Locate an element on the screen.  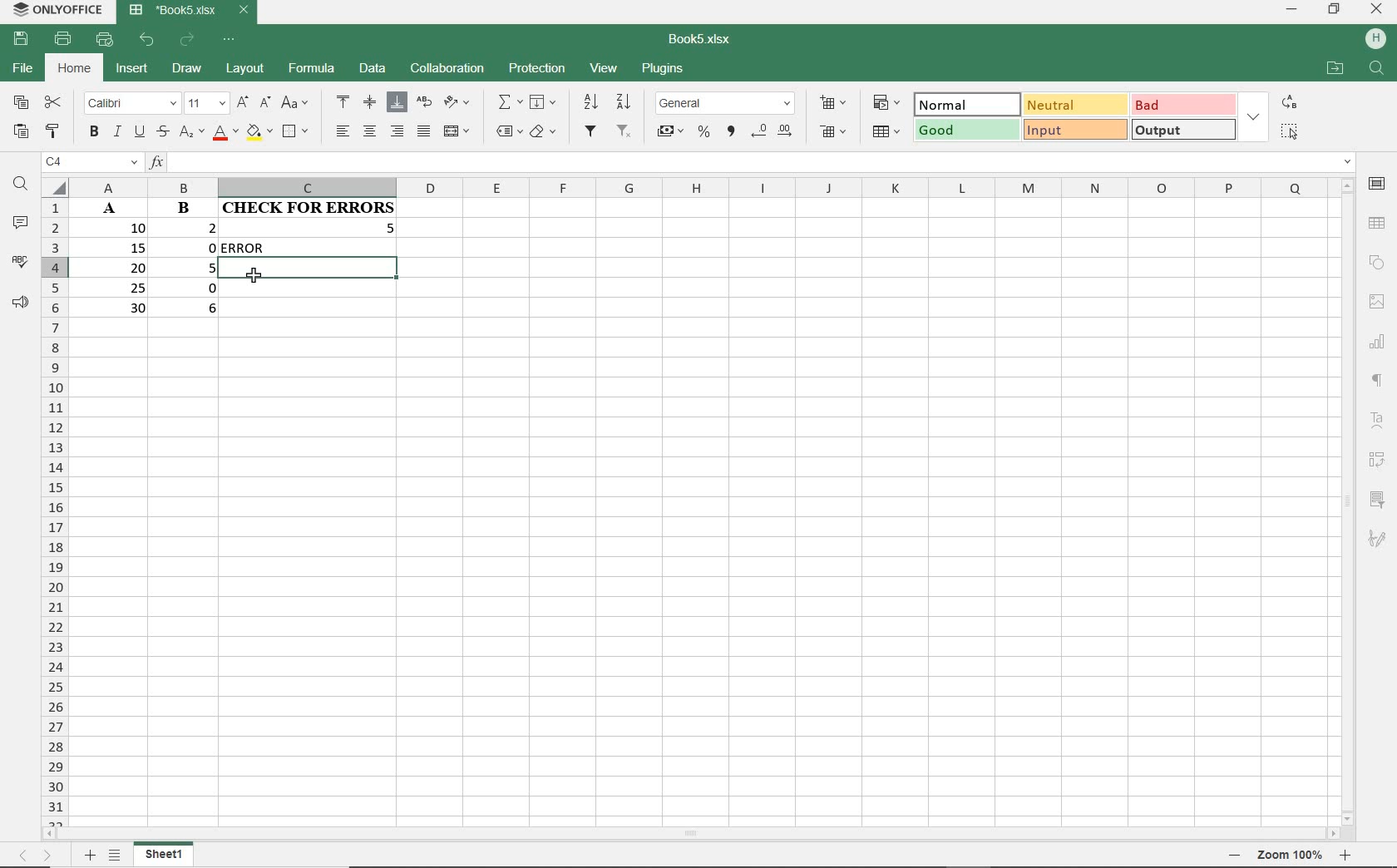
FILTER is located at coordinates (593, 134).